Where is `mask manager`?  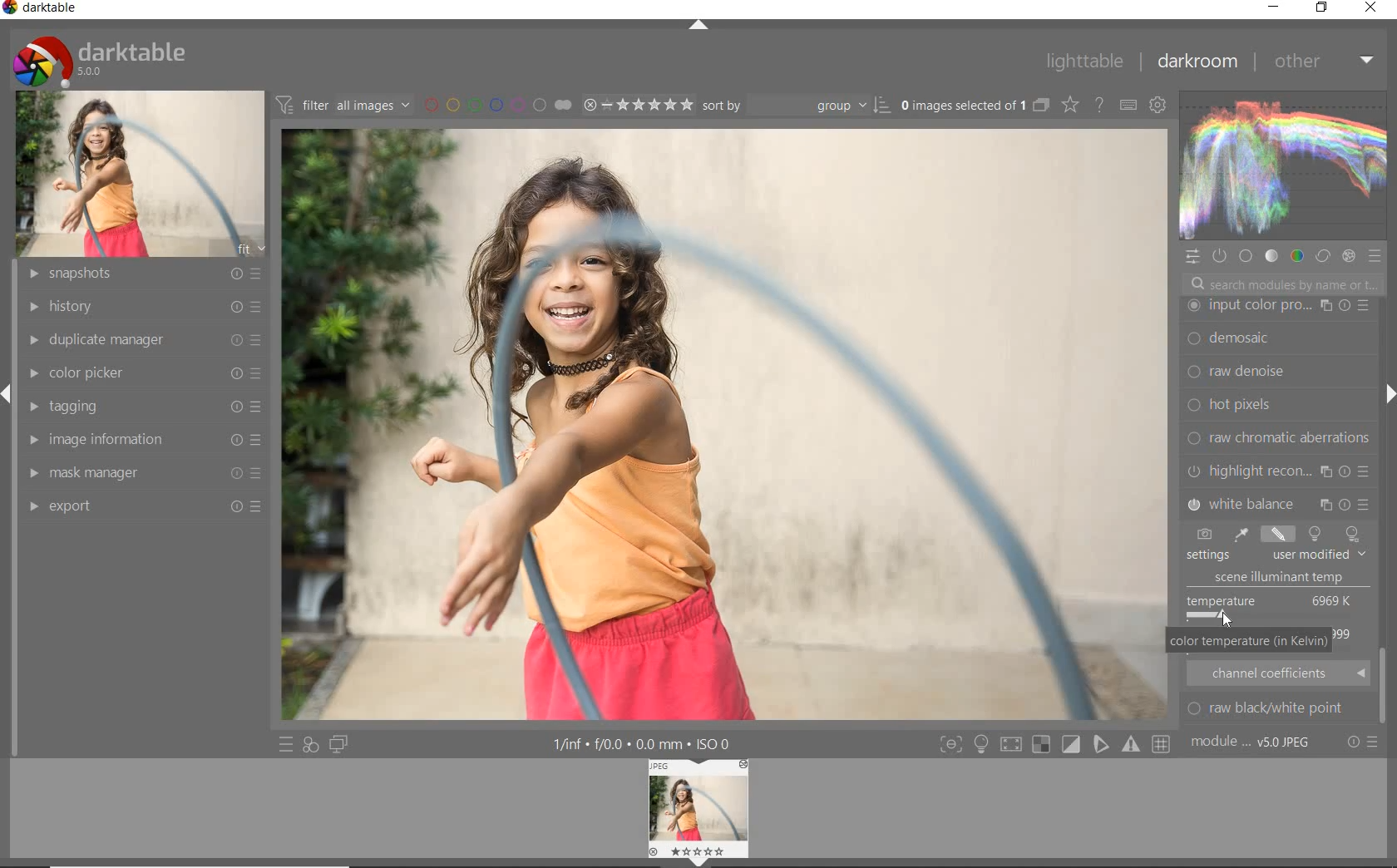
mask manager is located at coordinates (142, 469).